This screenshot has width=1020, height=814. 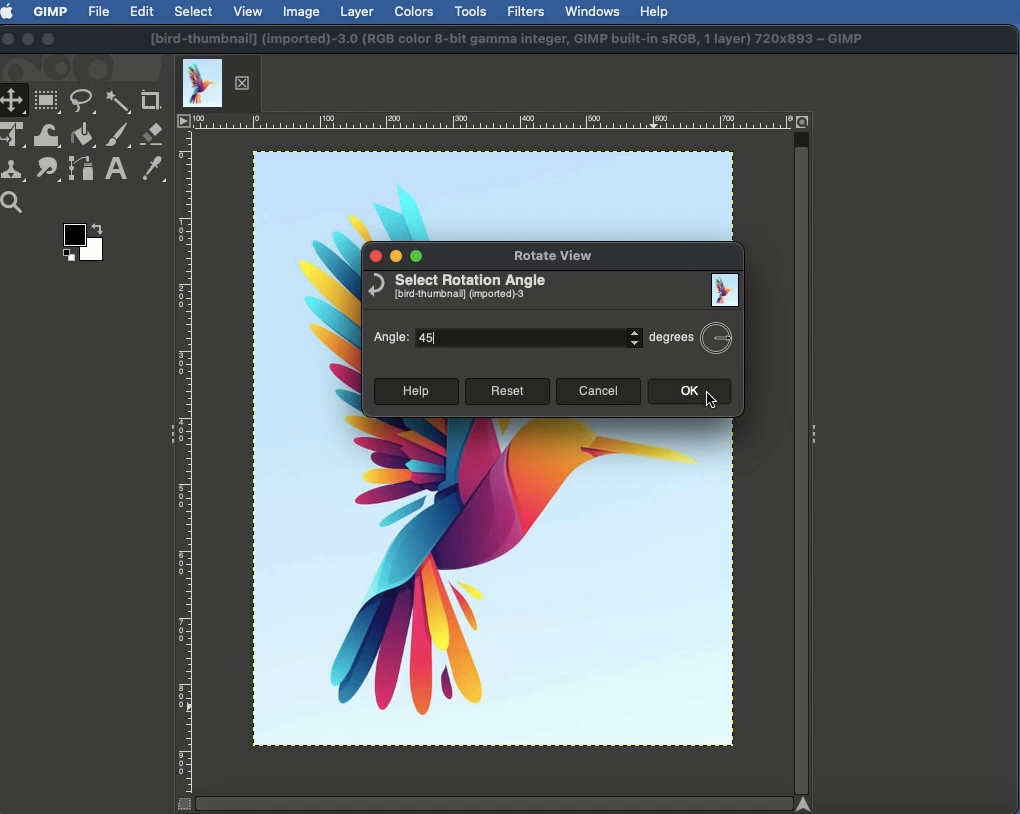 What do you see at coordinates (302, 11) in the screenshot?
I see `Image` at bounding box center [302, 11].